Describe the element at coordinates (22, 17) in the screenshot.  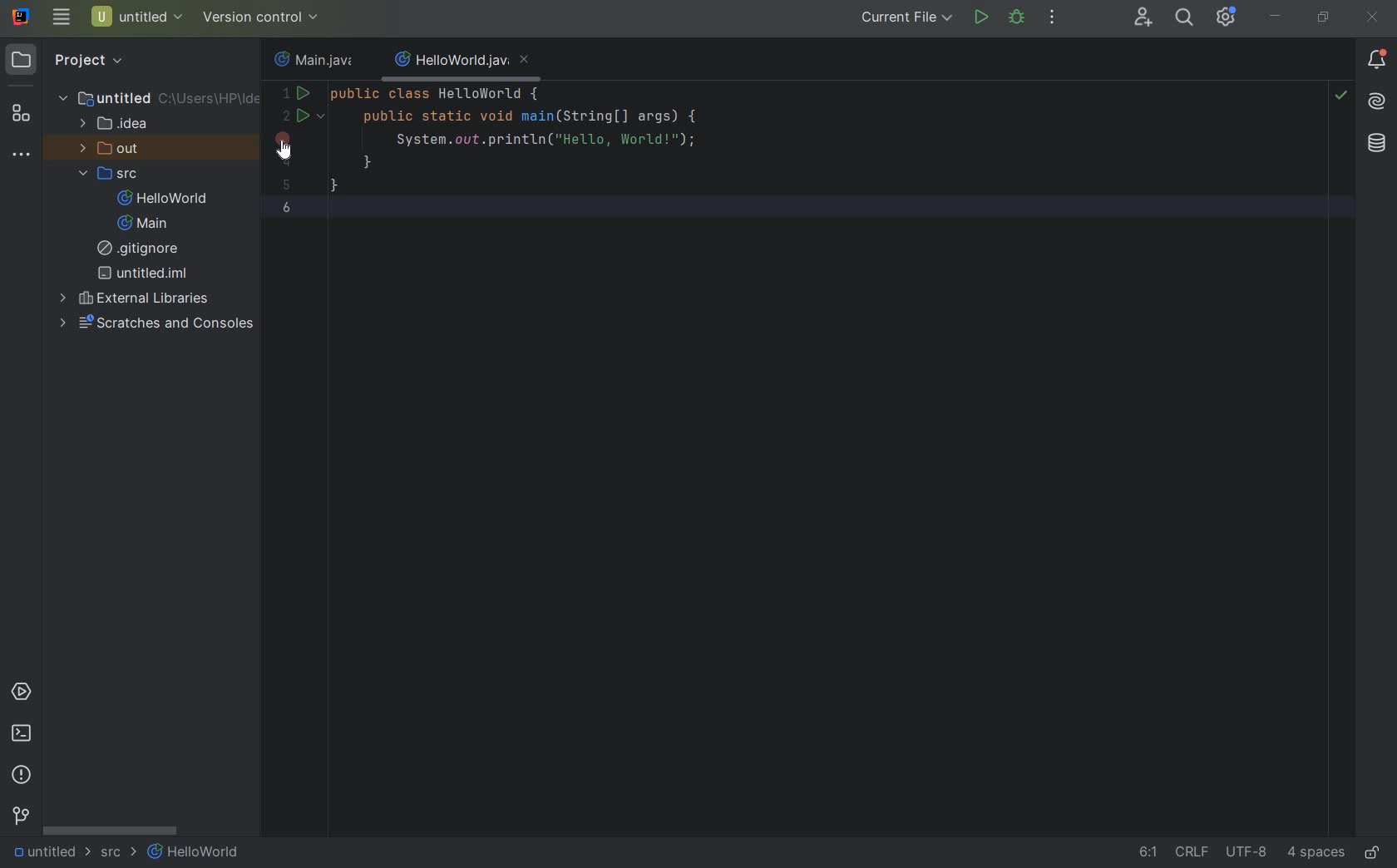
I see `system name` at that location.